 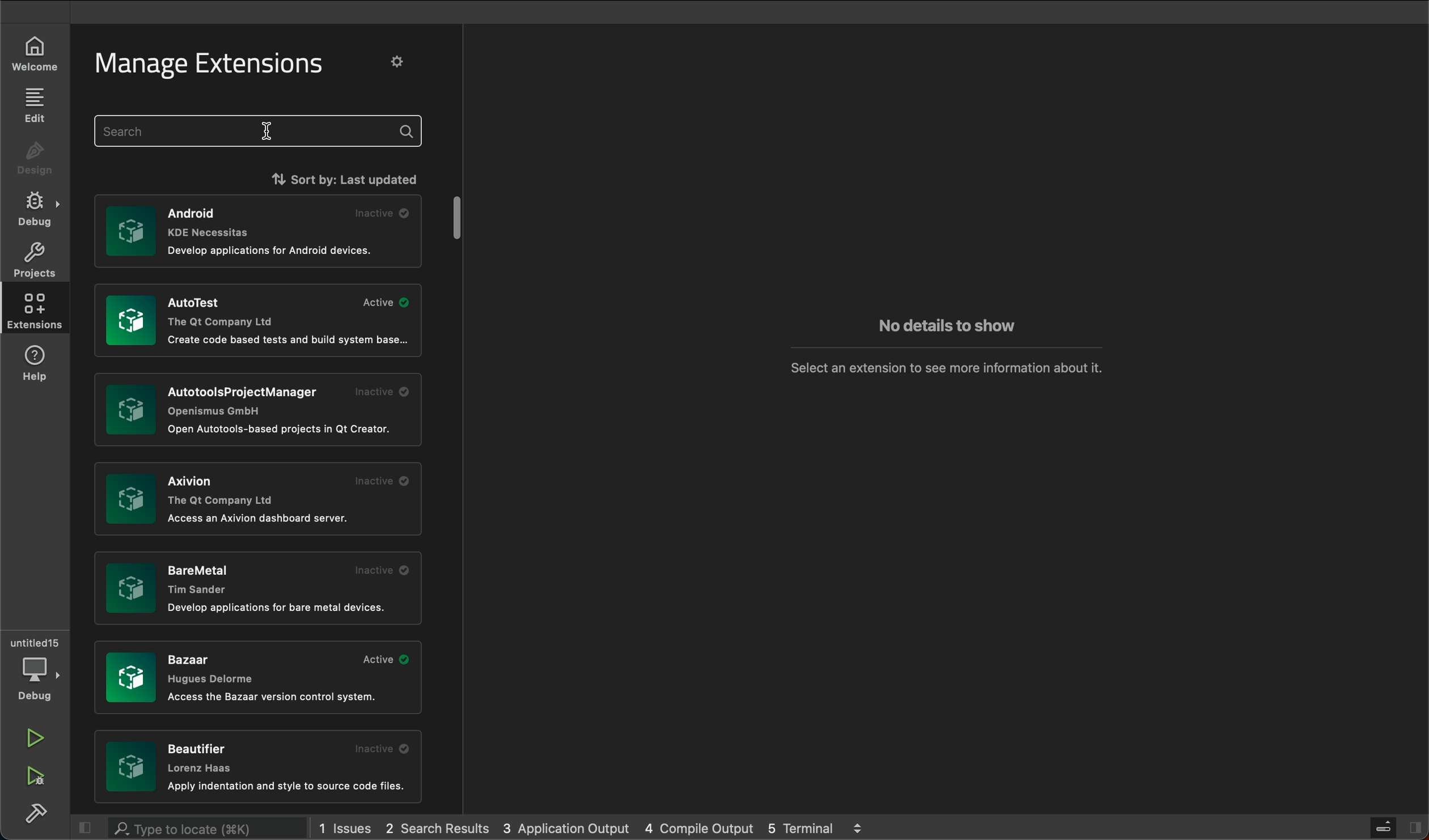 What do you see at coordinates (197, 826) in the screenshot?
I see `search` at bounding box center [197, 826].